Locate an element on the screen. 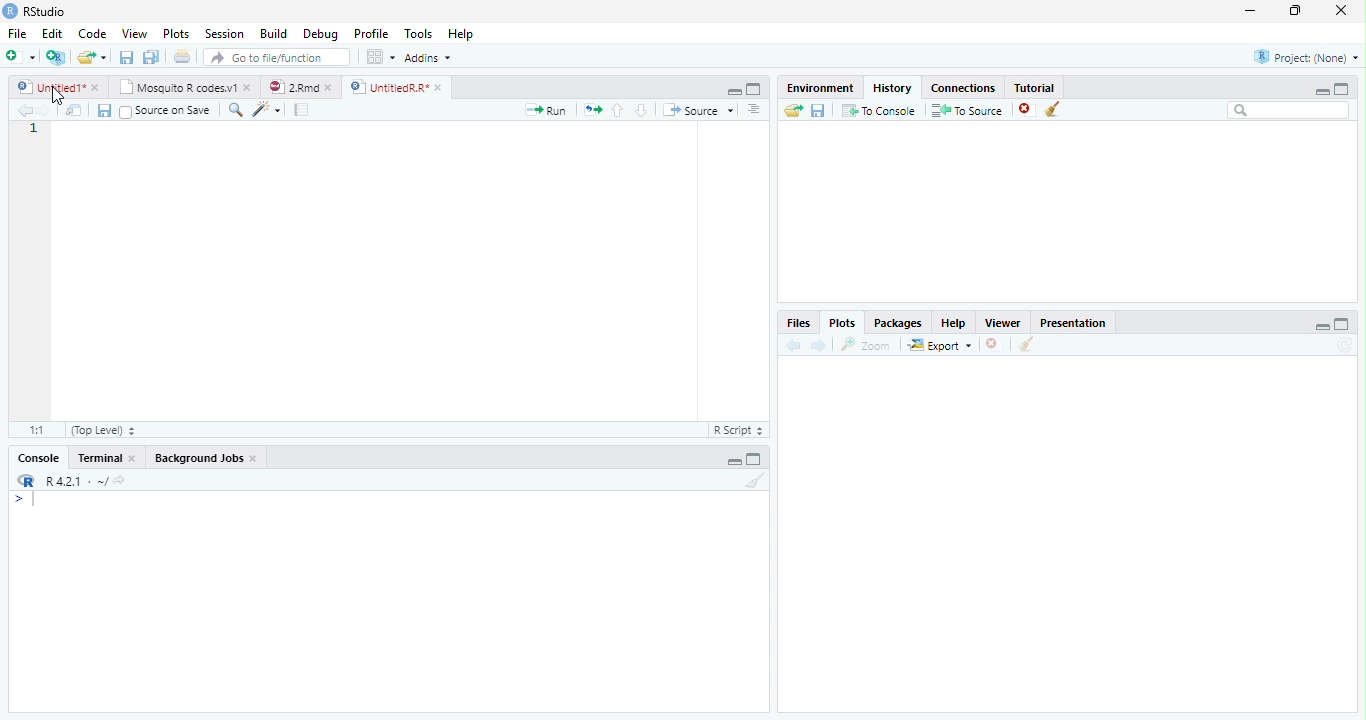  Maximixe is located at coordinates (754, 88).